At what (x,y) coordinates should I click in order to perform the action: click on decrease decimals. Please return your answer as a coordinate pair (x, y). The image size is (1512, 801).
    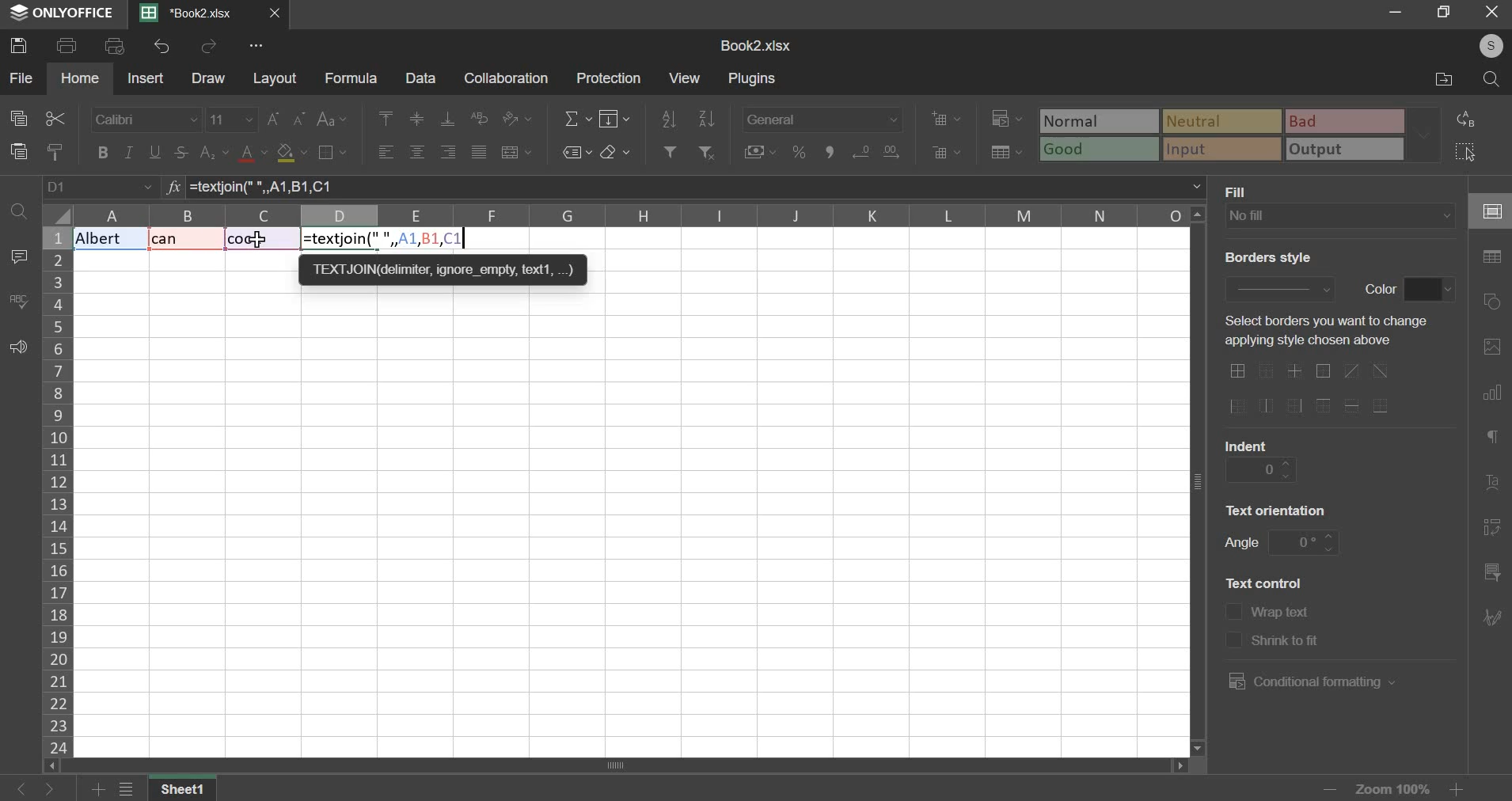
    Looking at the image, I should click on (891, 149).